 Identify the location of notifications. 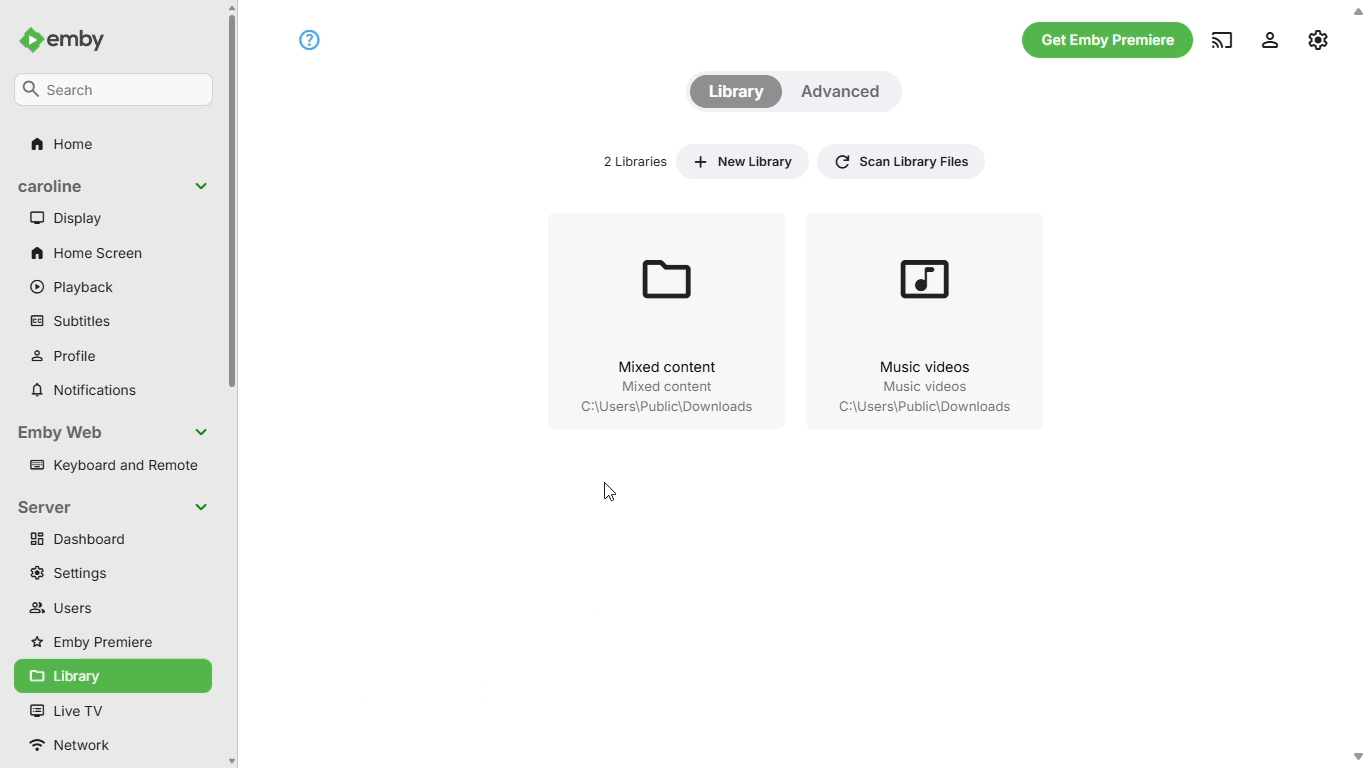
(83, 389).